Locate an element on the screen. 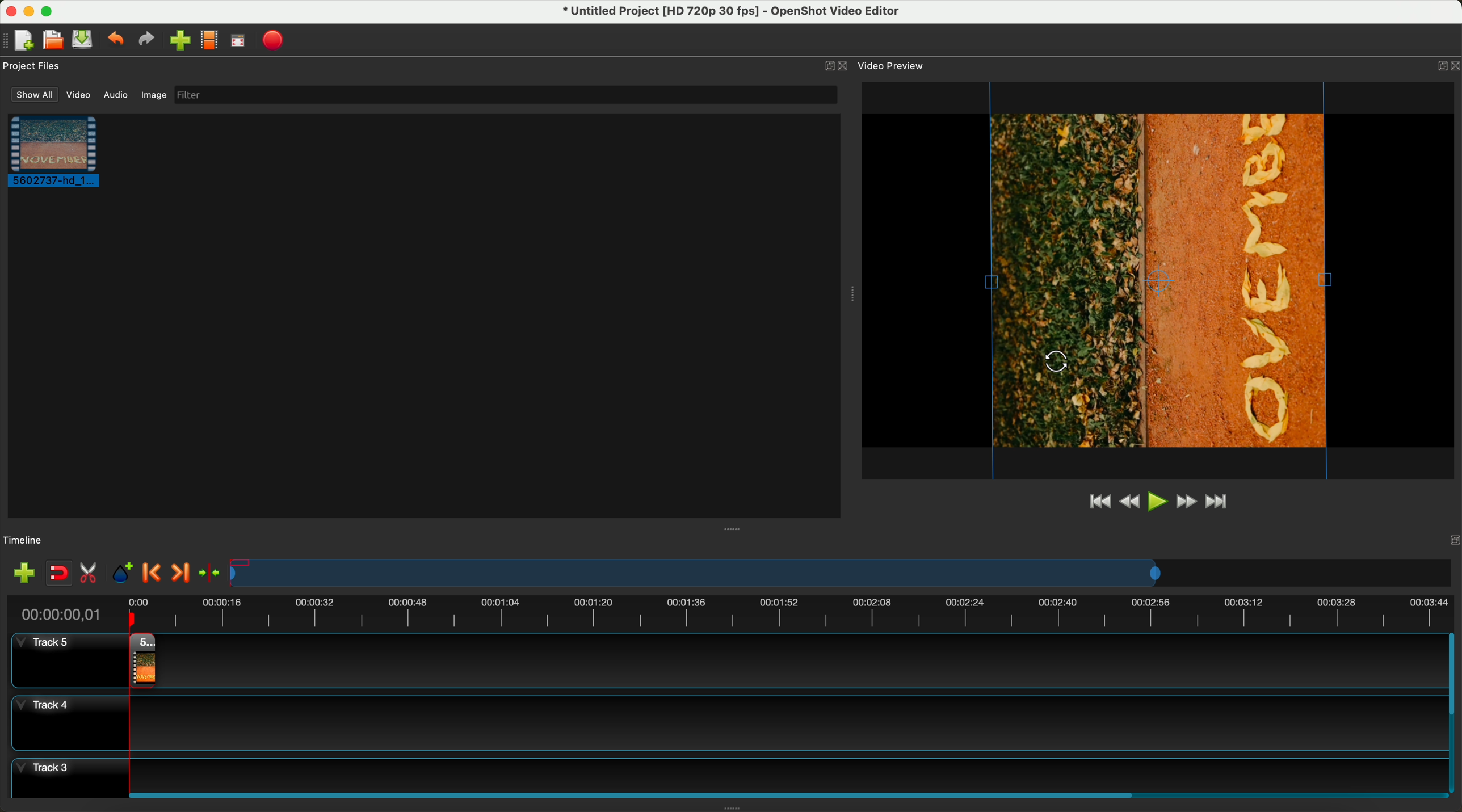 Image resolution: width=1462 pixels, height=812 pixels. track 3 is located at coordinates (725, 772).